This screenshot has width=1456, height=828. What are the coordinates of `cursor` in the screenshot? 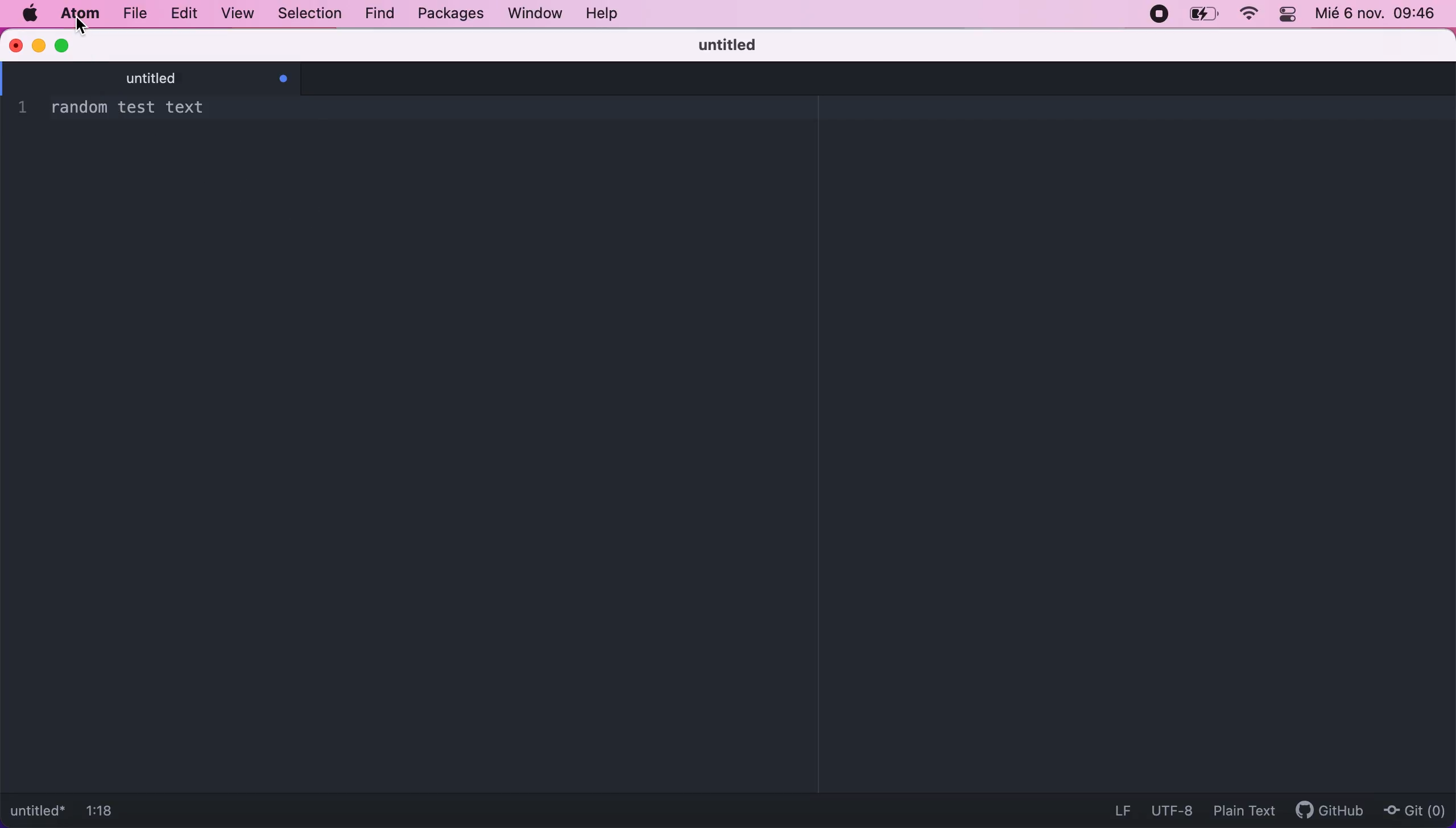 It's located at (80, 27).